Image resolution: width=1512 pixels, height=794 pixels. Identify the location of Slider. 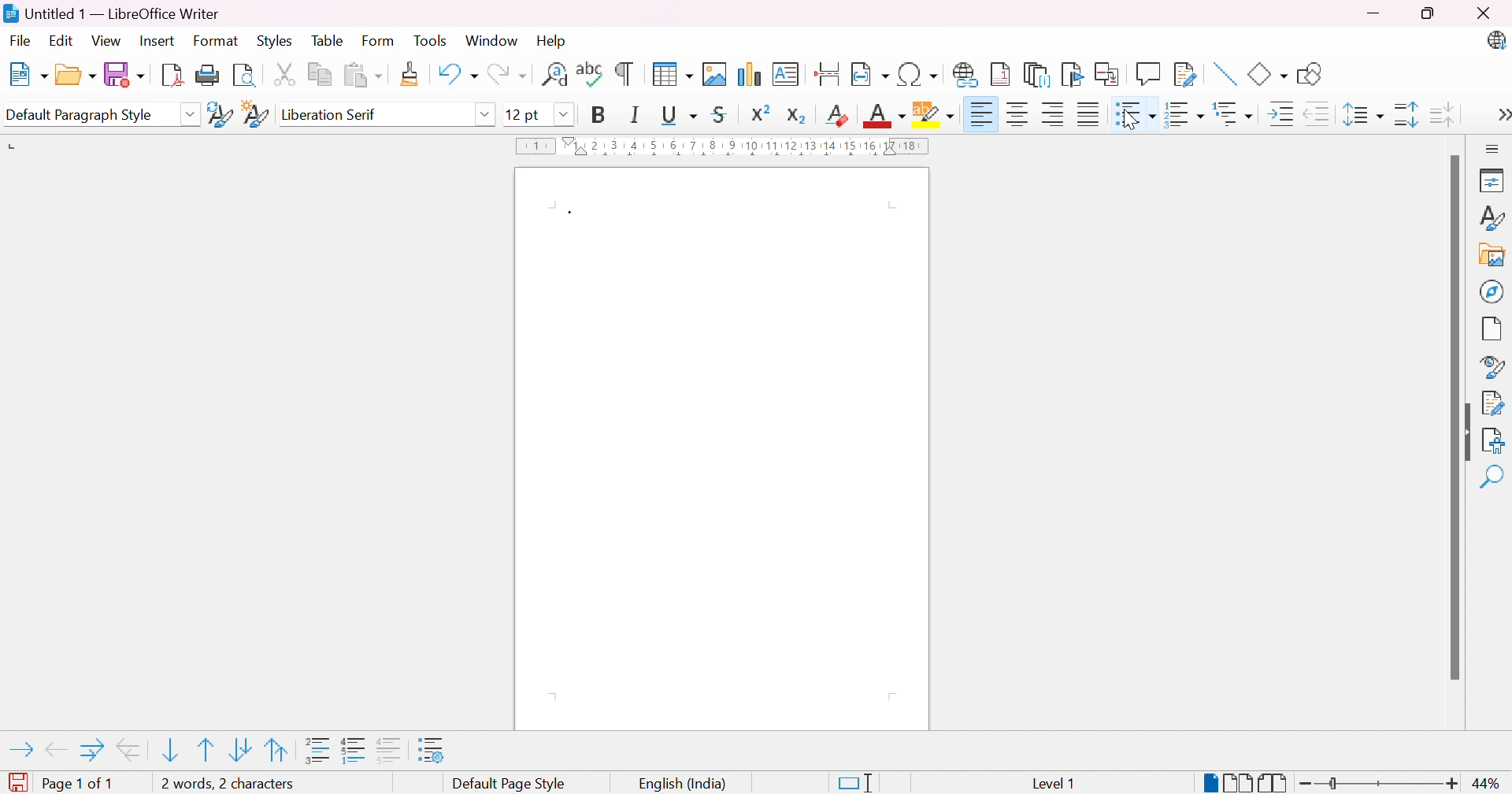
(1332, 782).